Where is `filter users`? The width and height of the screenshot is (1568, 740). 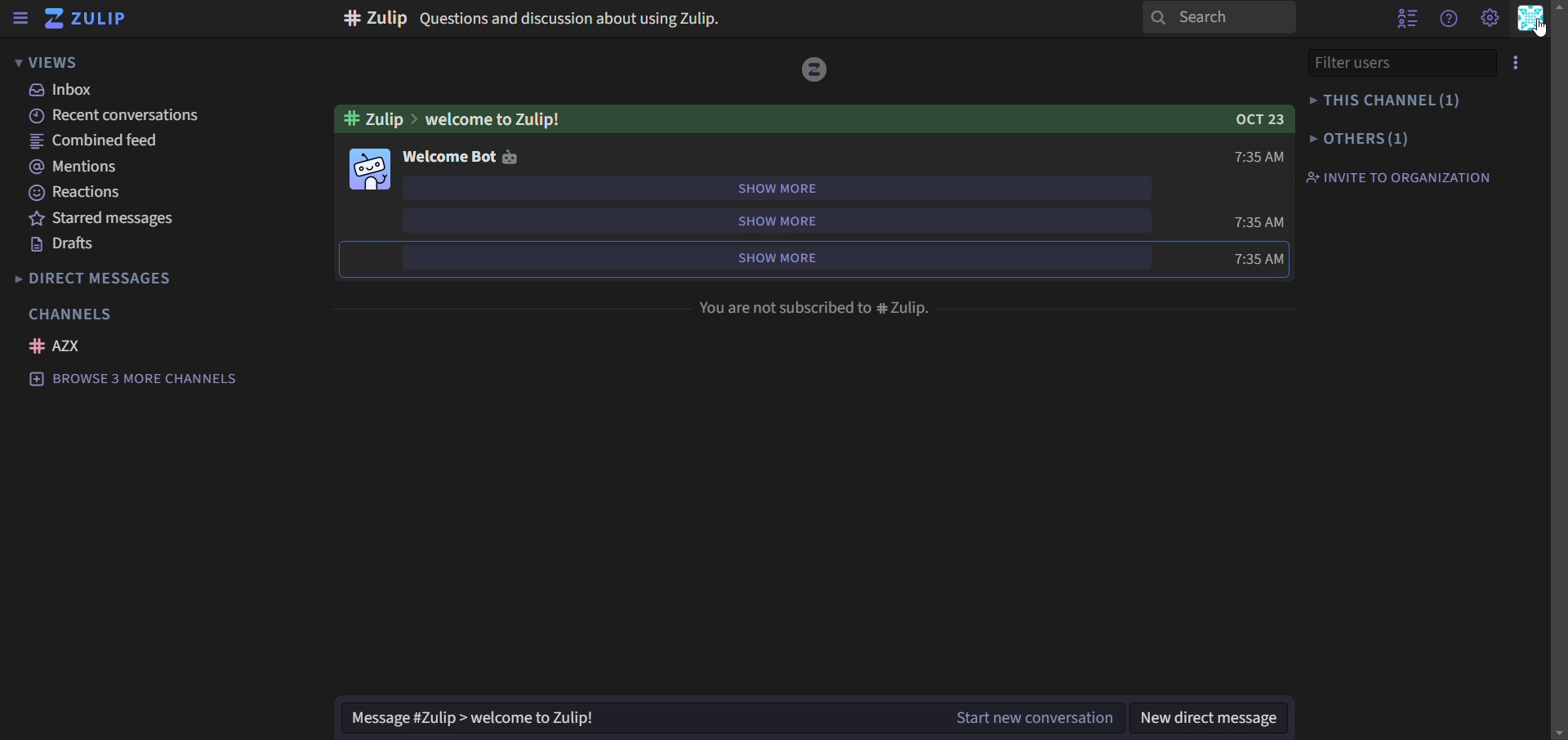
filter users is located at coordinates (1395, 63).